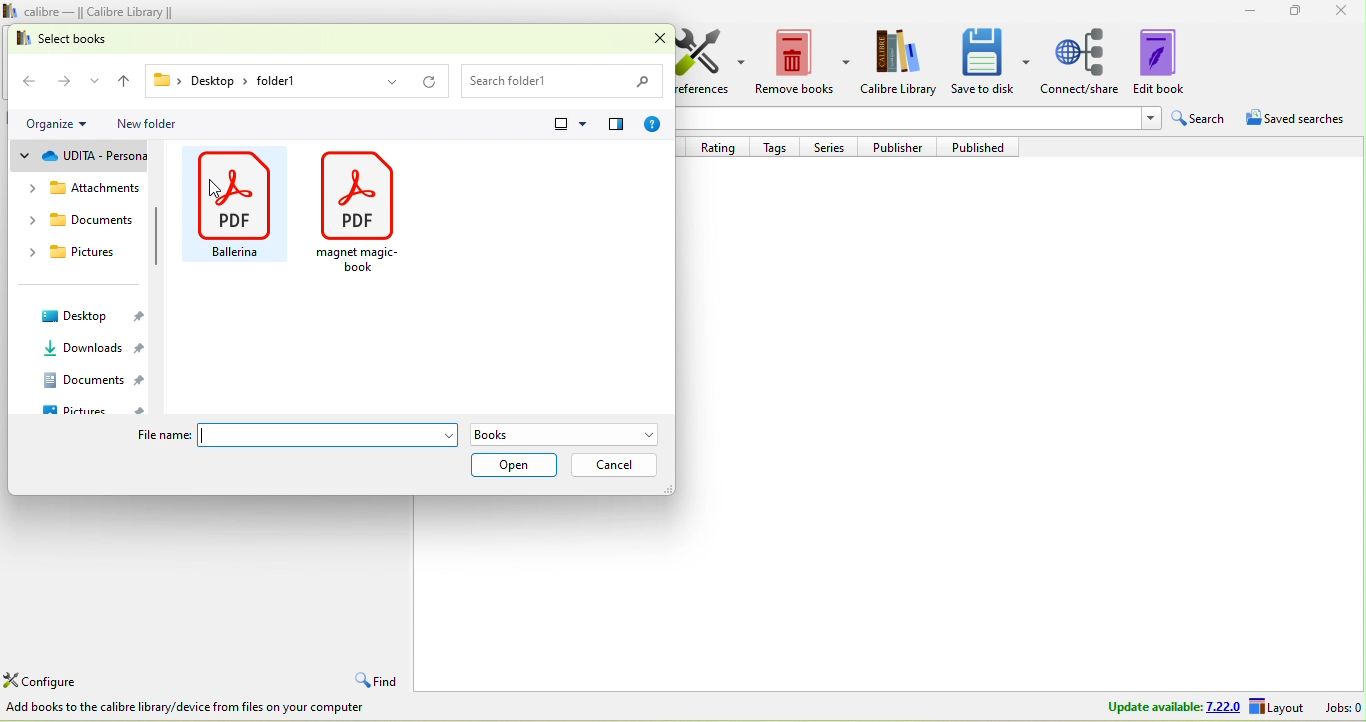 The image size is (1366, 722). What do you see at coordinates (1164, 63) in the screenshot?
I see `edit book` at bounding box center [1164, 63].